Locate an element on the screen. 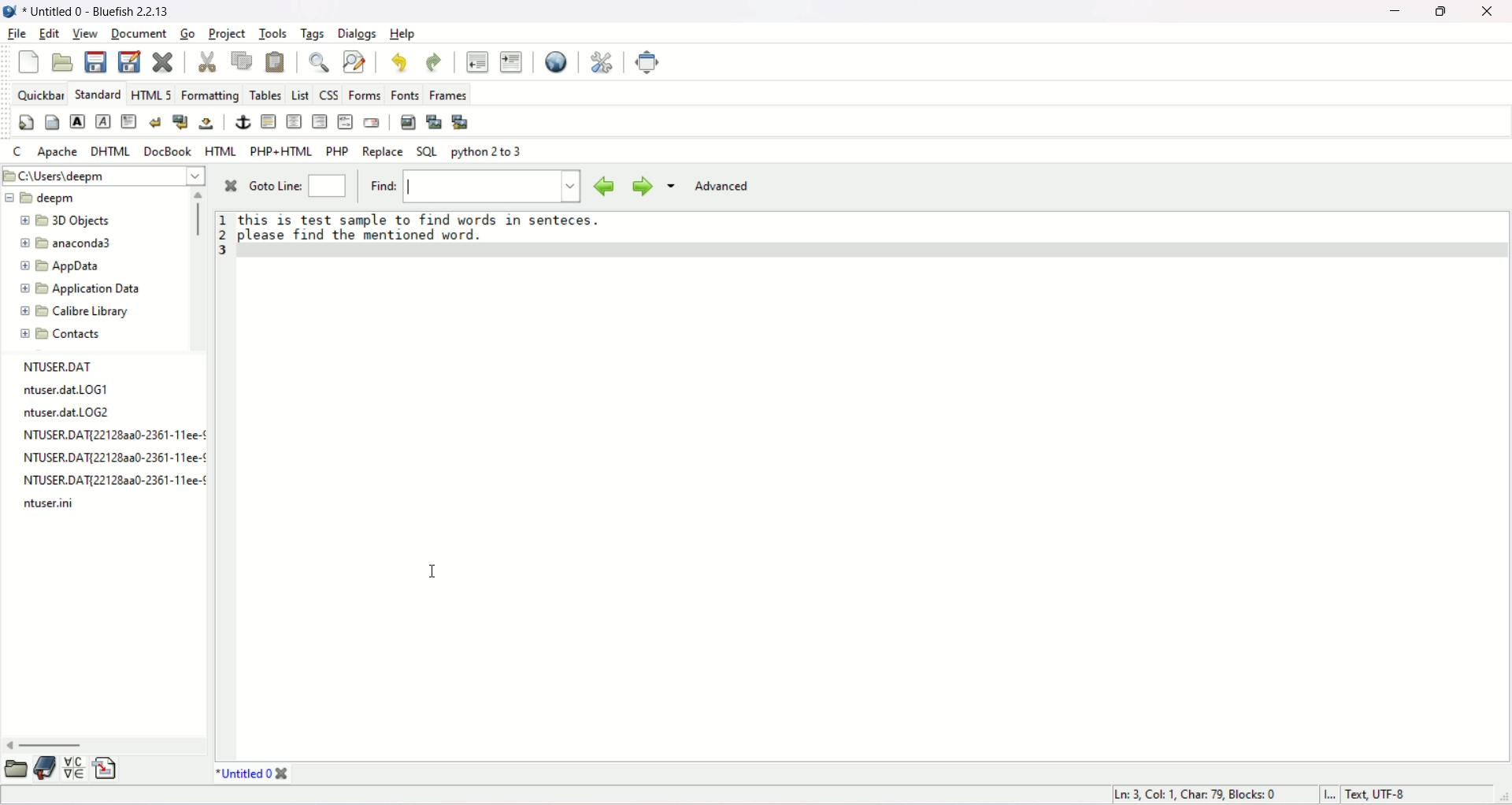 The image size is (1512, 805). ntuser.ini is located at coordinates (48, 502).